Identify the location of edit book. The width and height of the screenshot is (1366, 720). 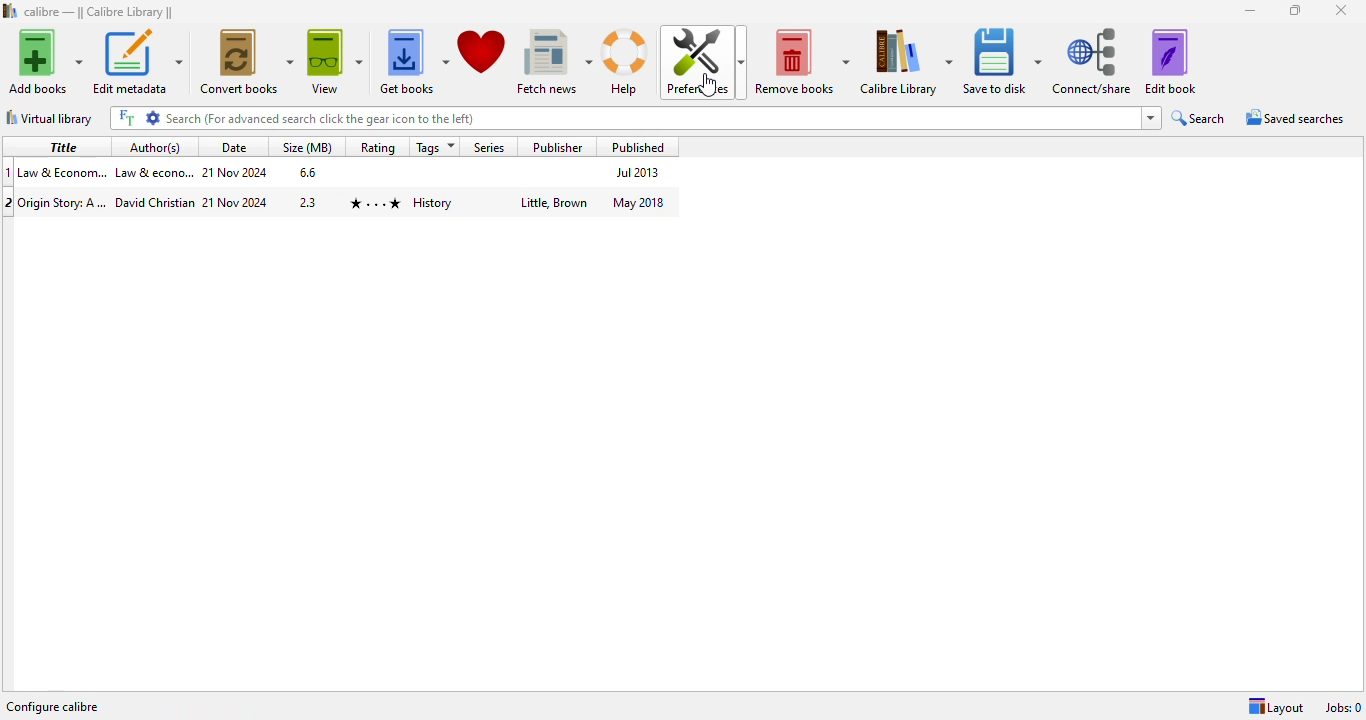
(1174, 61).